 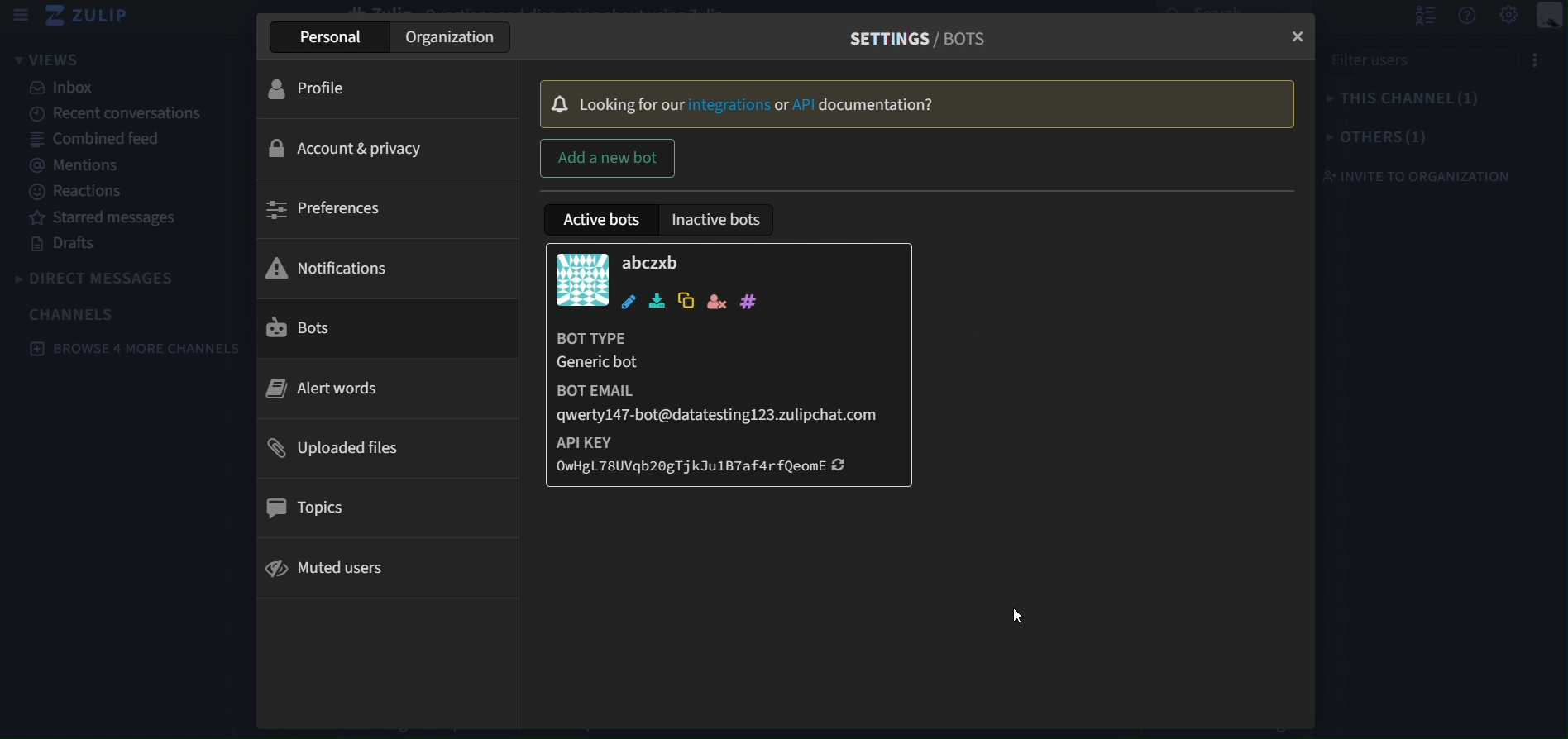 What do you see at coordinates (726, 340) in the screenshot?
I see `Bot Type` at bounding box center [726, 340].